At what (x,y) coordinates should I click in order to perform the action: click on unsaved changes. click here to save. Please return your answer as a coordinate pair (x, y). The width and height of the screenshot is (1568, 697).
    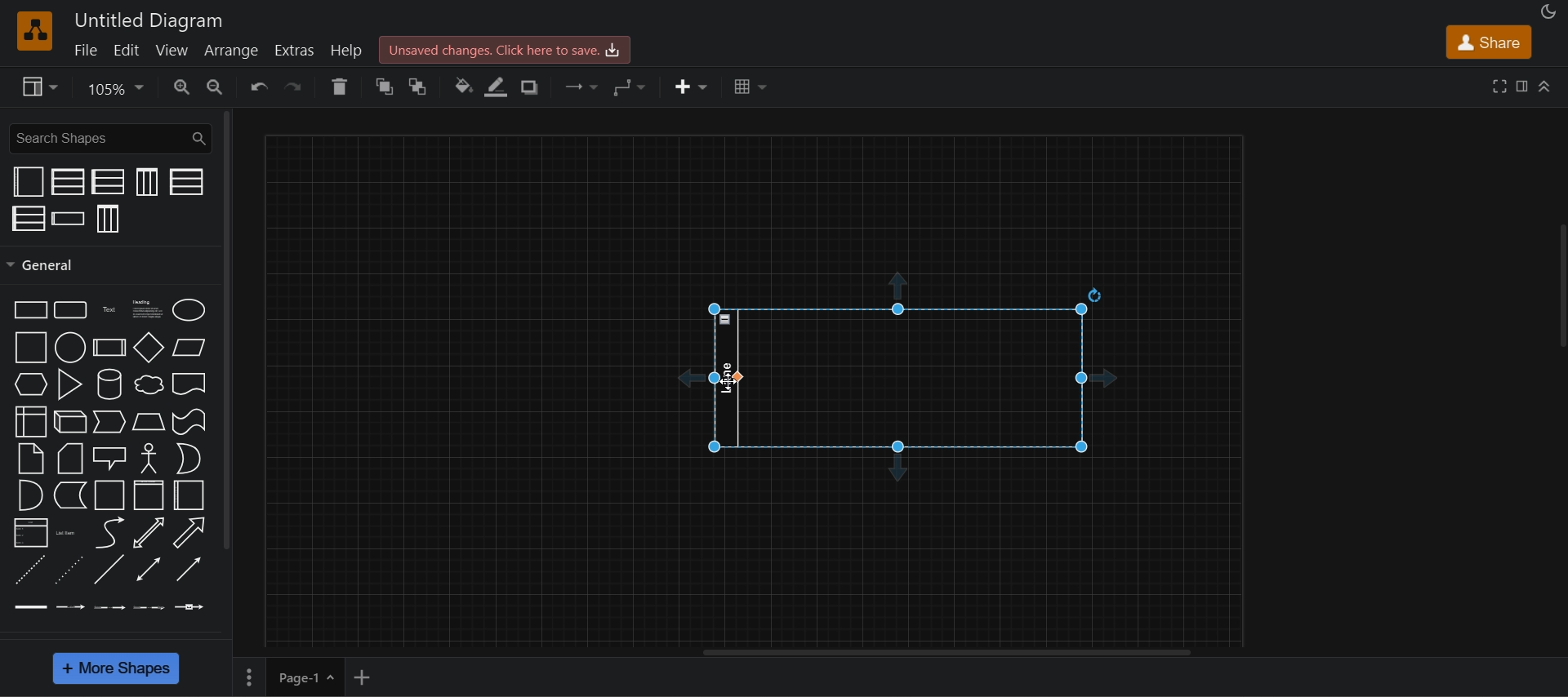
    Looking at the image, I should click on (506, 48).